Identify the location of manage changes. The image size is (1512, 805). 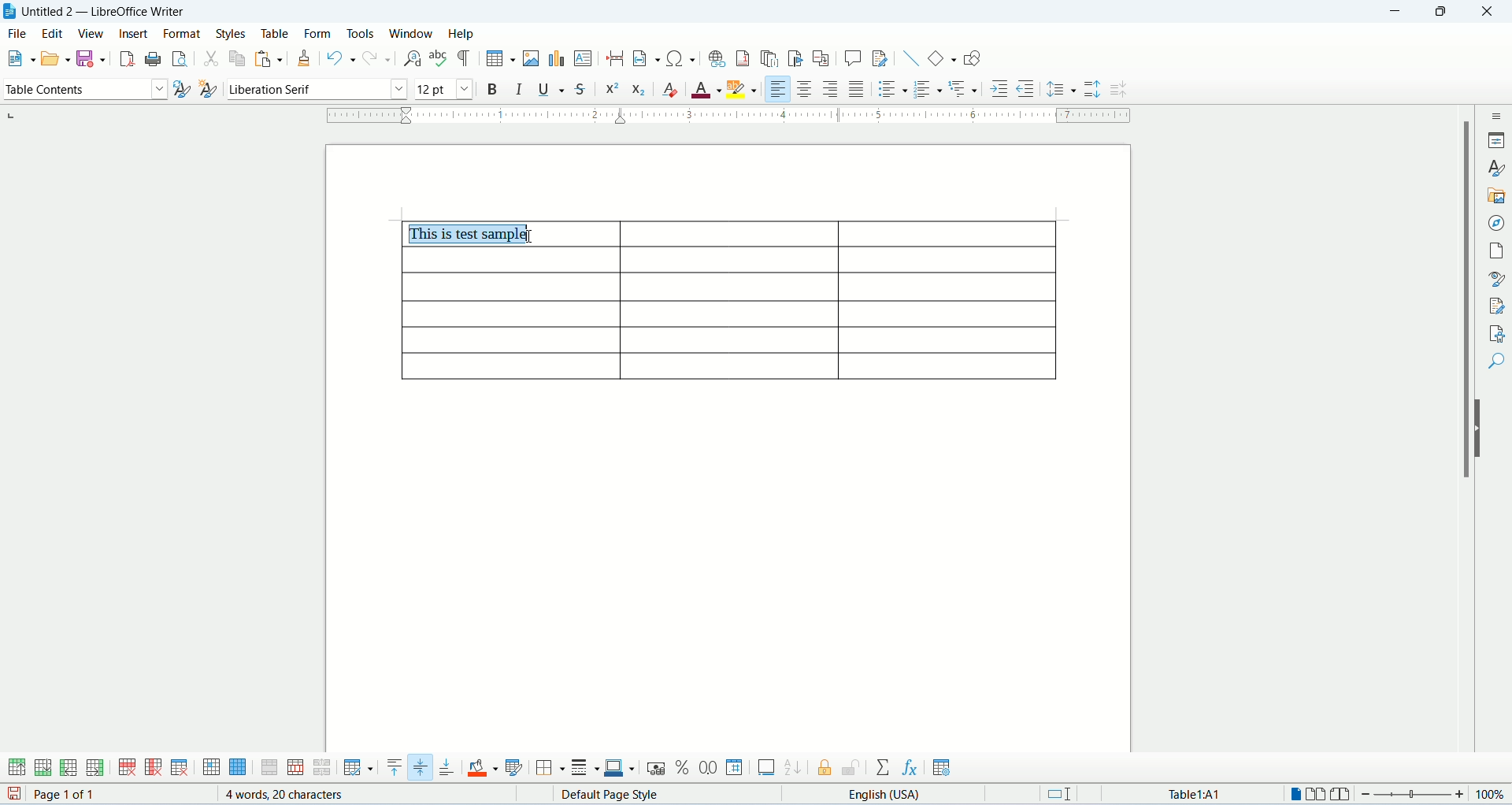
(1498, 306).